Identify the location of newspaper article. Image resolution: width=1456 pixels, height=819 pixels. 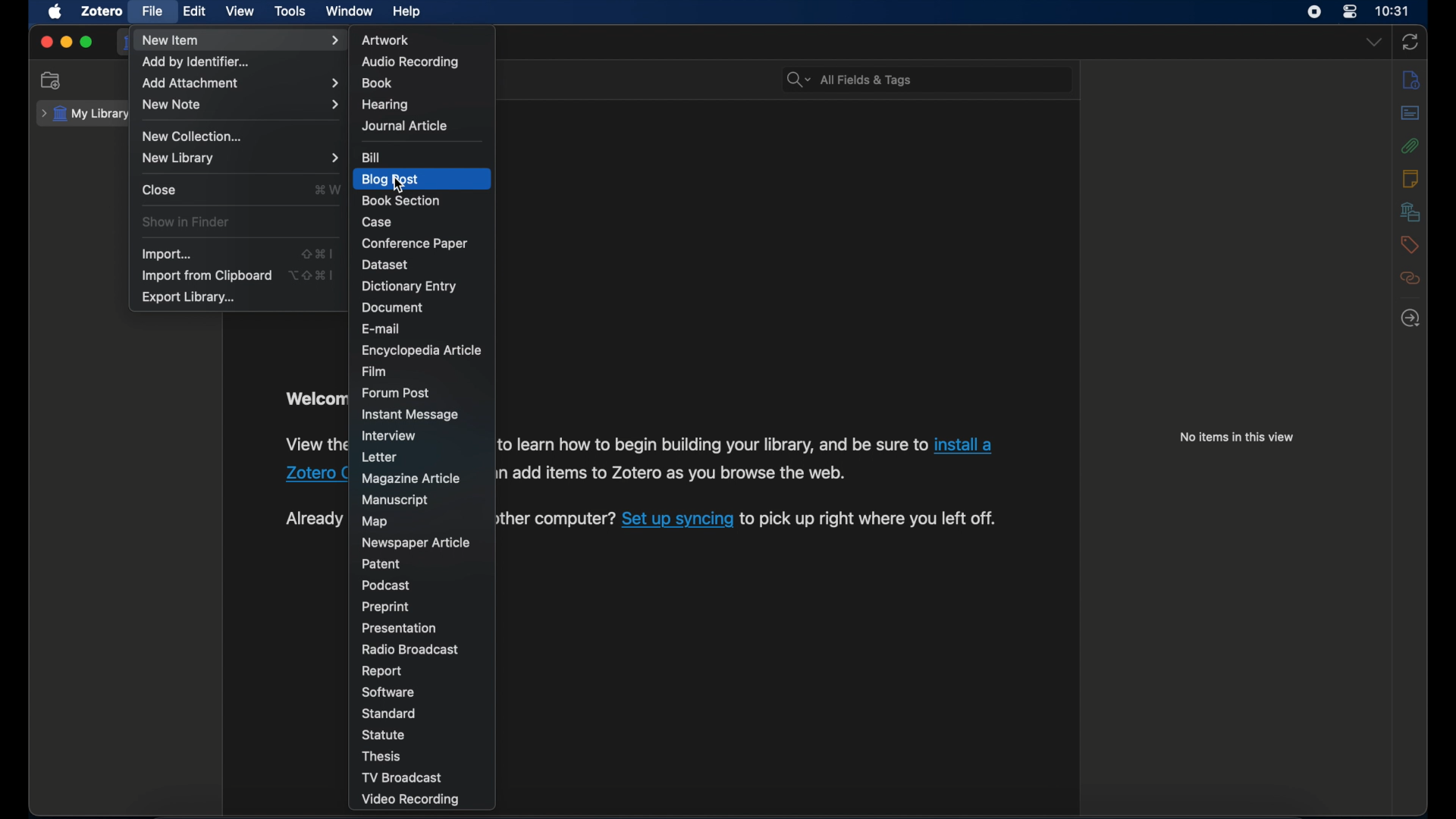
(418, 543).